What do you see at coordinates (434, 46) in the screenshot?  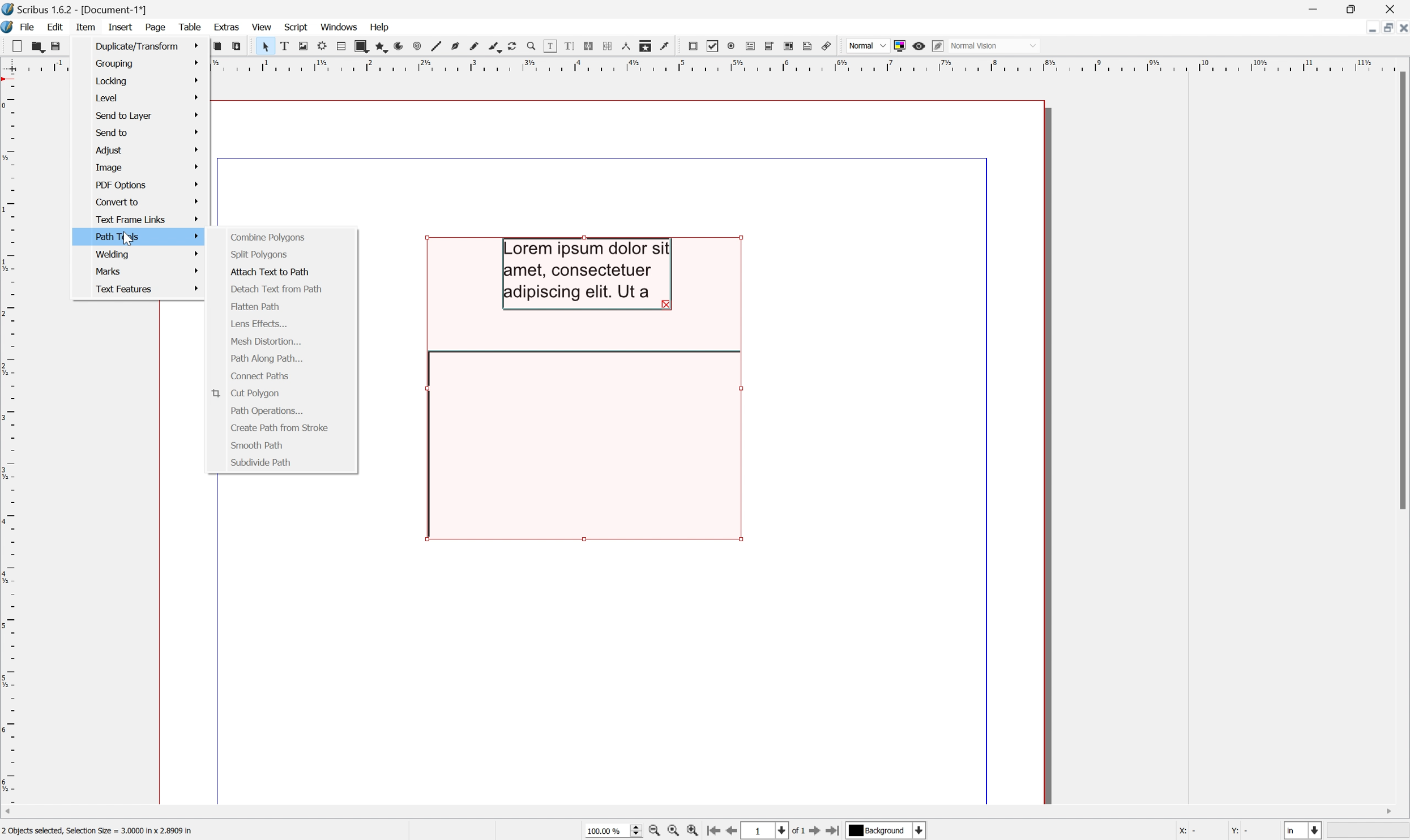 I see `Line` at bounding box center [434, 46].